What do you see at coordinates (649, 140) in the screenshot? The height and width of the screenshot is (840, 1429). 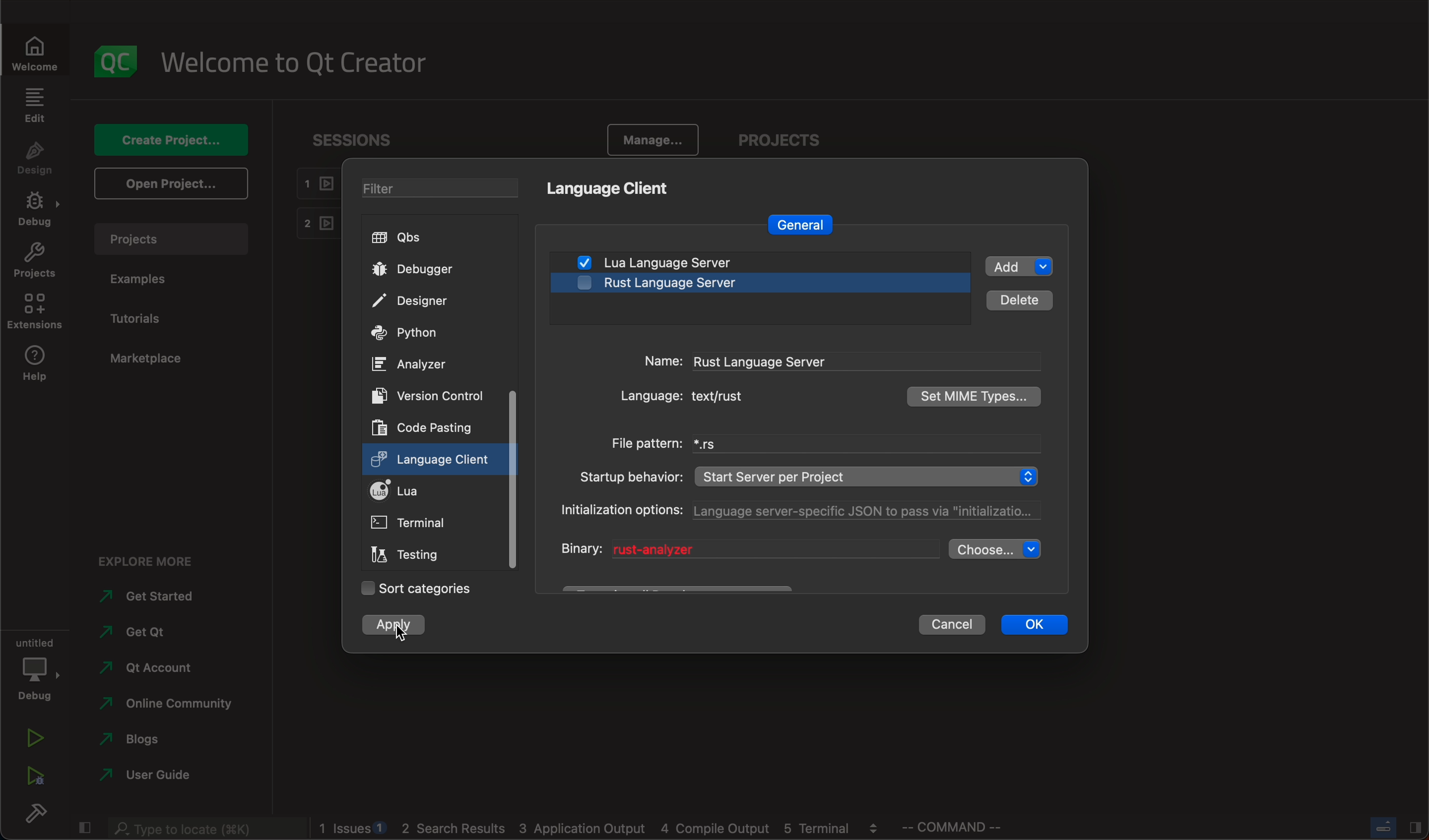 I see `Manage...` at bounding box center [649, 140].